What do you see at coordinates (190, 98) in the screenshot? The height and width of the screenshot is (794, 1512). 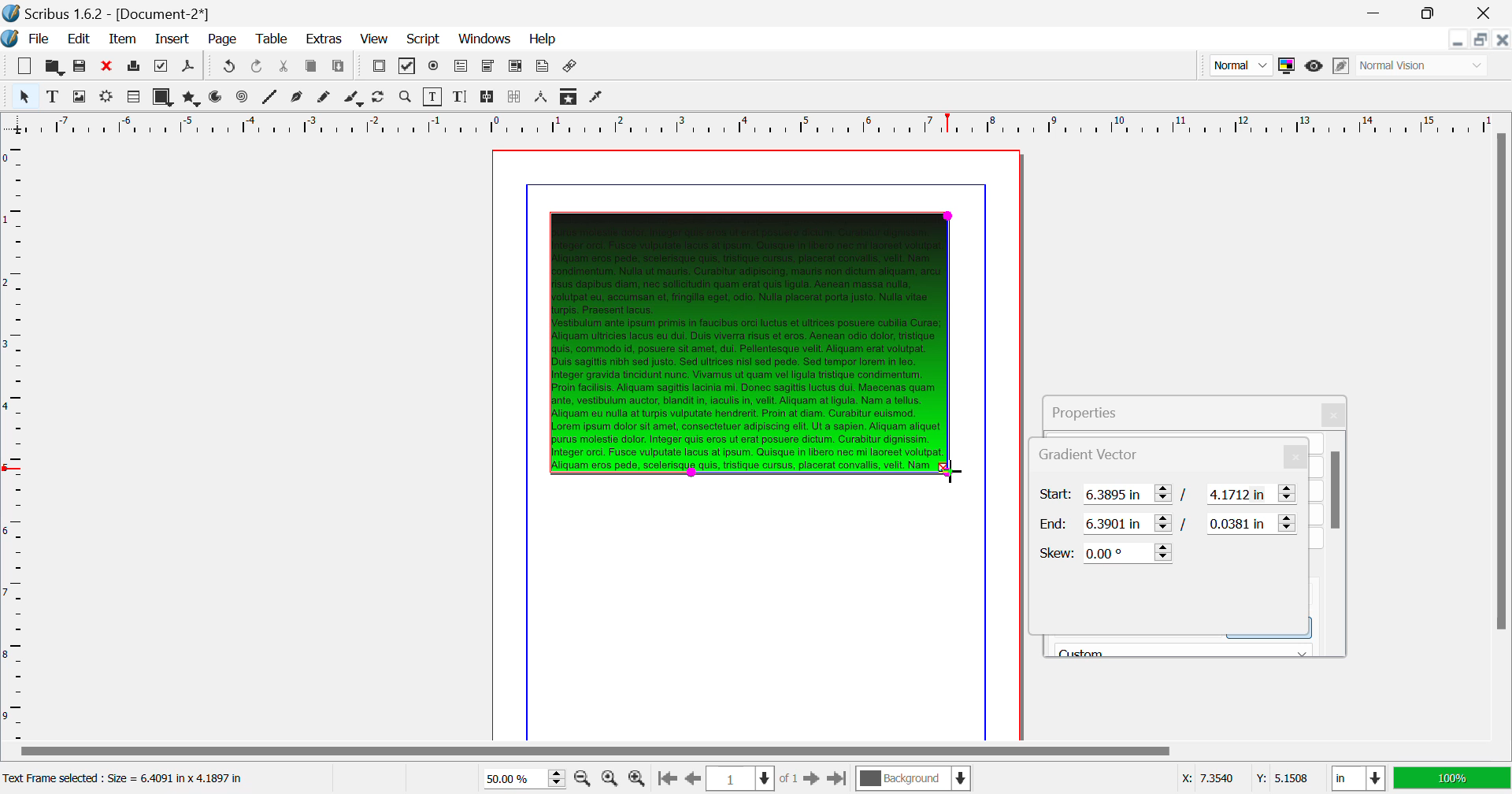 I see `Polygons` at bounding box center [190, 98].